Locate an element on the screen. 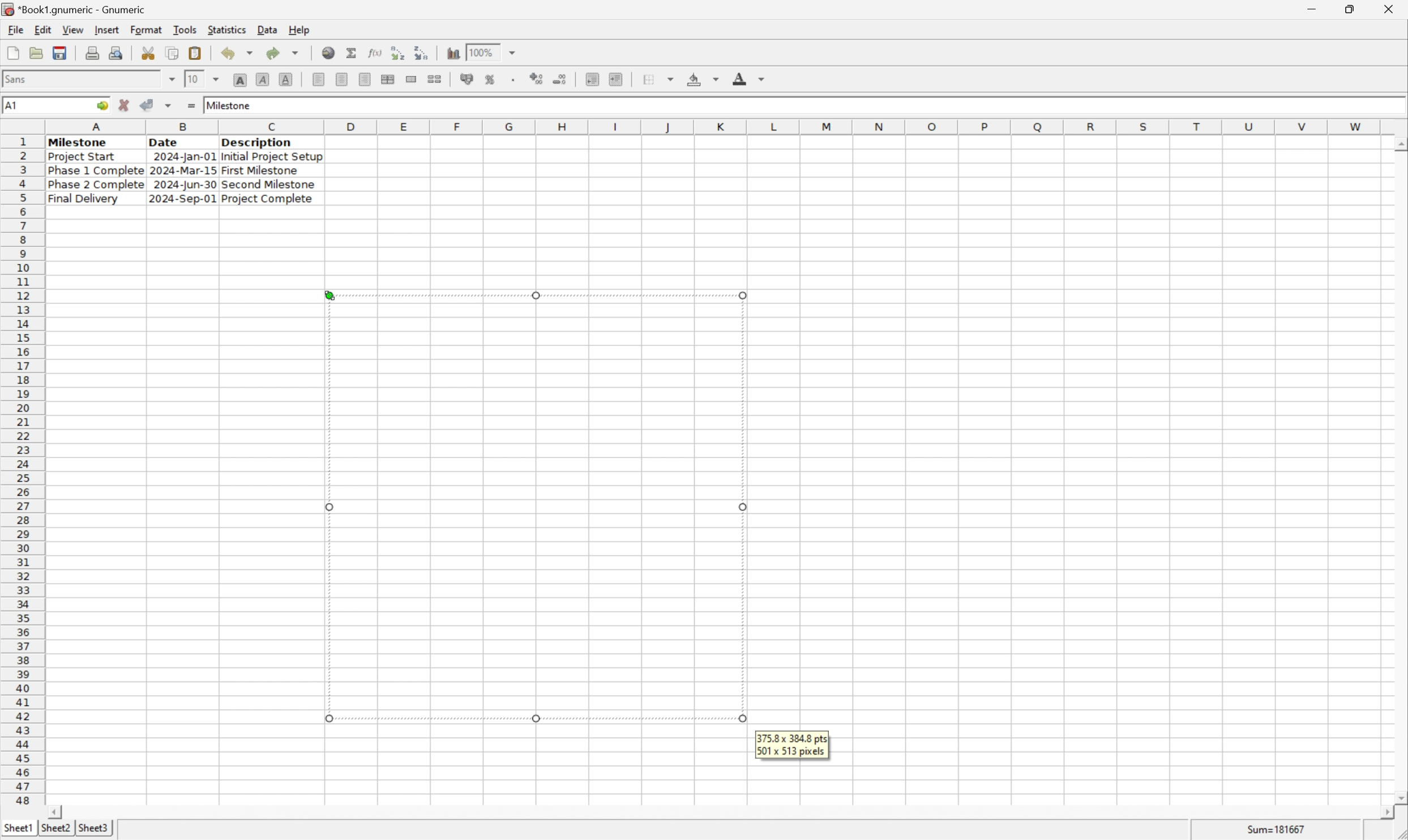  sheet3 is located at coordinates (93, 831).